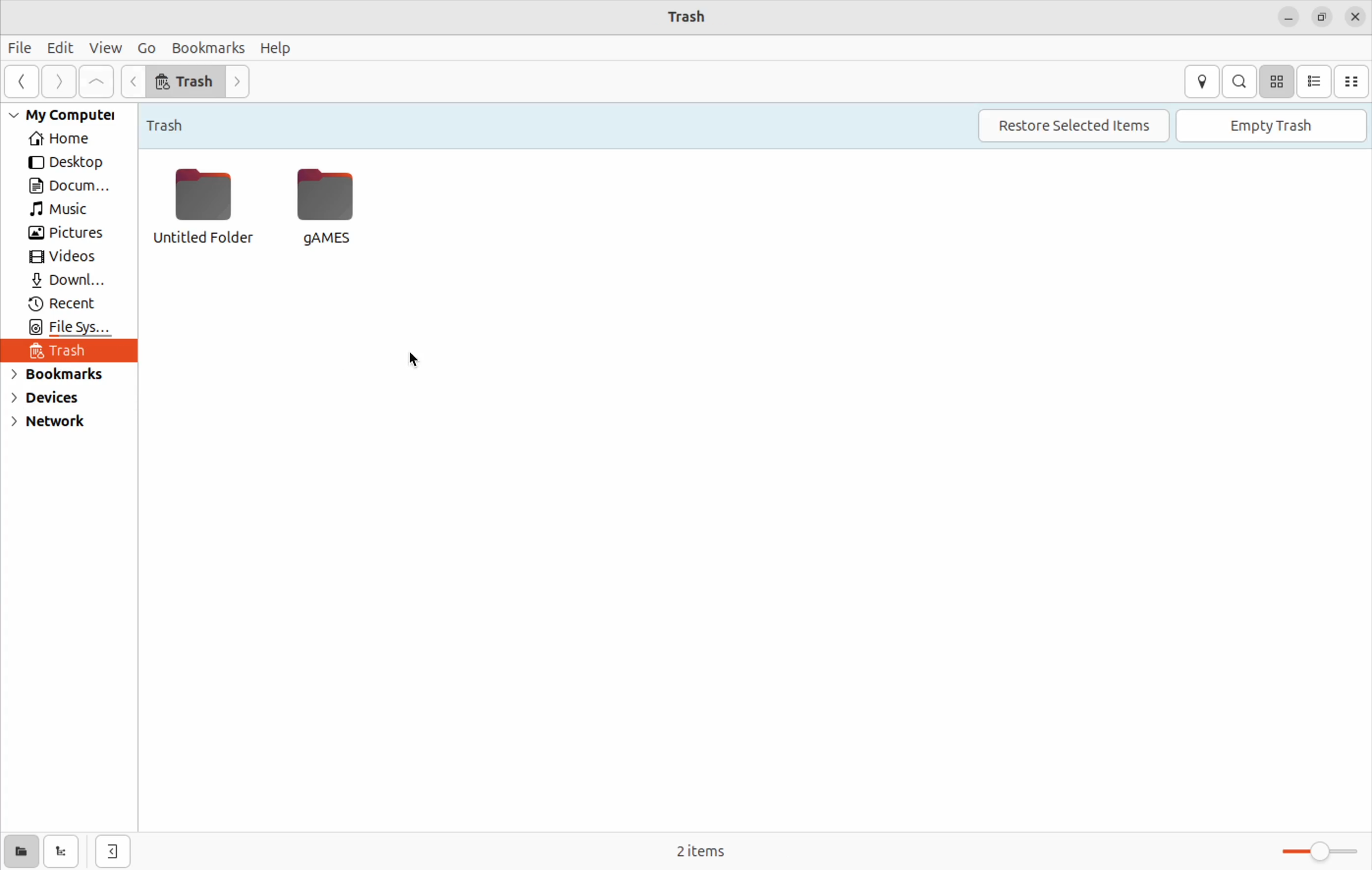  What do you see at coordinates (418, 359) in the screenshot?
I see `cursor` at bounding box center [418, 359].